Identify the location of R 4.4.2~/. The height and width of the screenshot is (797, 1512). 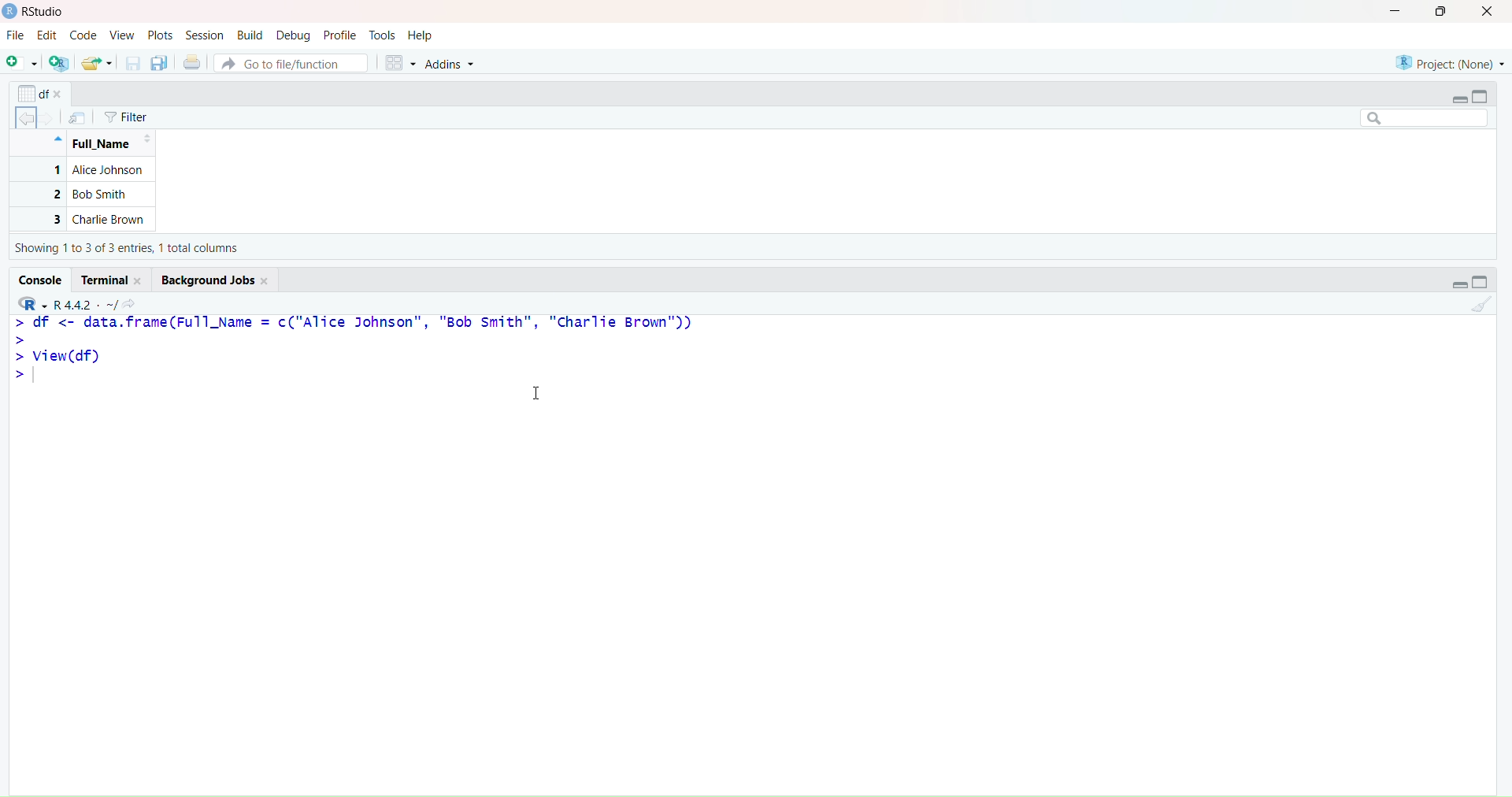
(87, 302).